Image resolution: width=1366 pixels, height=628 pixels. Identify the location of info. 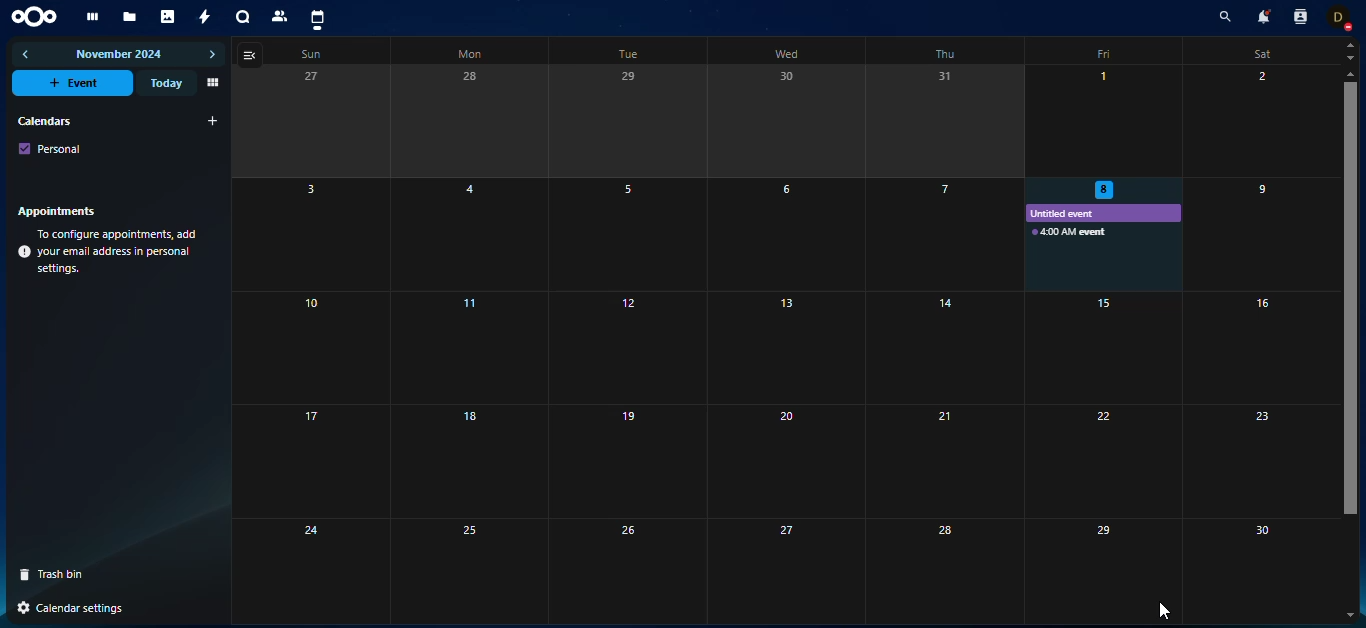
(110, 252).